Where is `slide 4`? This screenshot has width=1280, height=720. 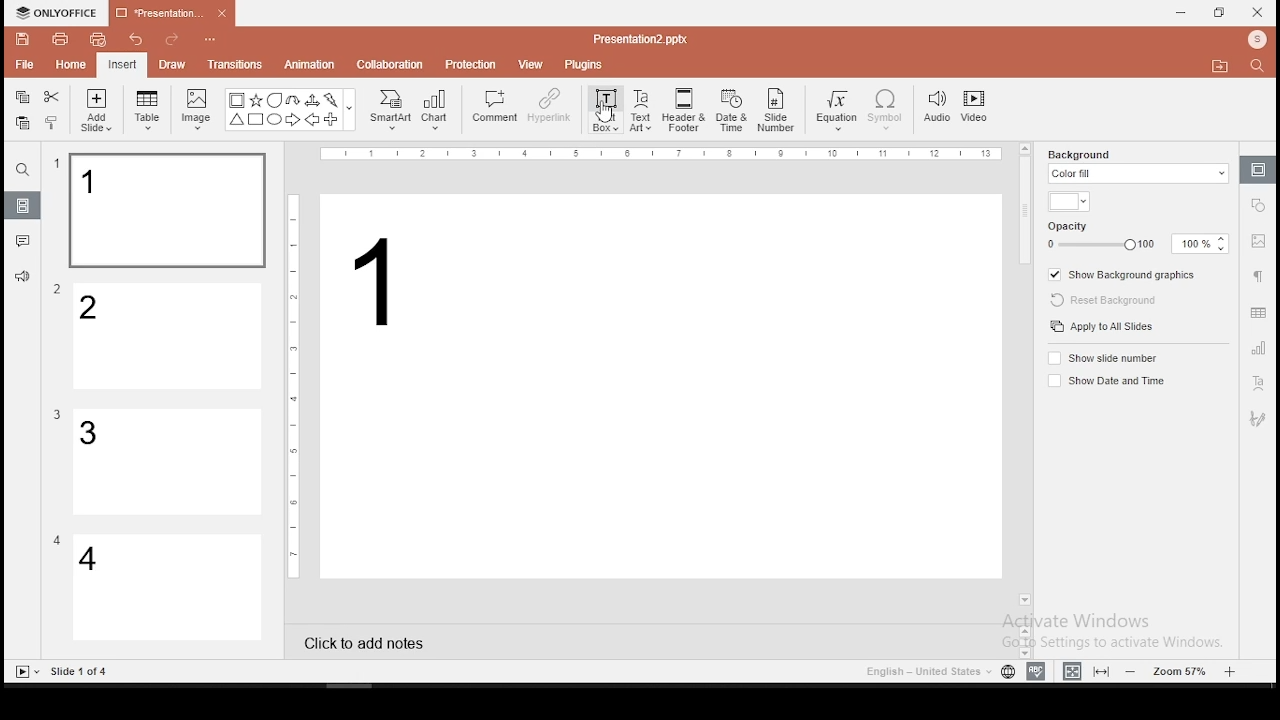
slide 4 is located at coordinates (168, 589).